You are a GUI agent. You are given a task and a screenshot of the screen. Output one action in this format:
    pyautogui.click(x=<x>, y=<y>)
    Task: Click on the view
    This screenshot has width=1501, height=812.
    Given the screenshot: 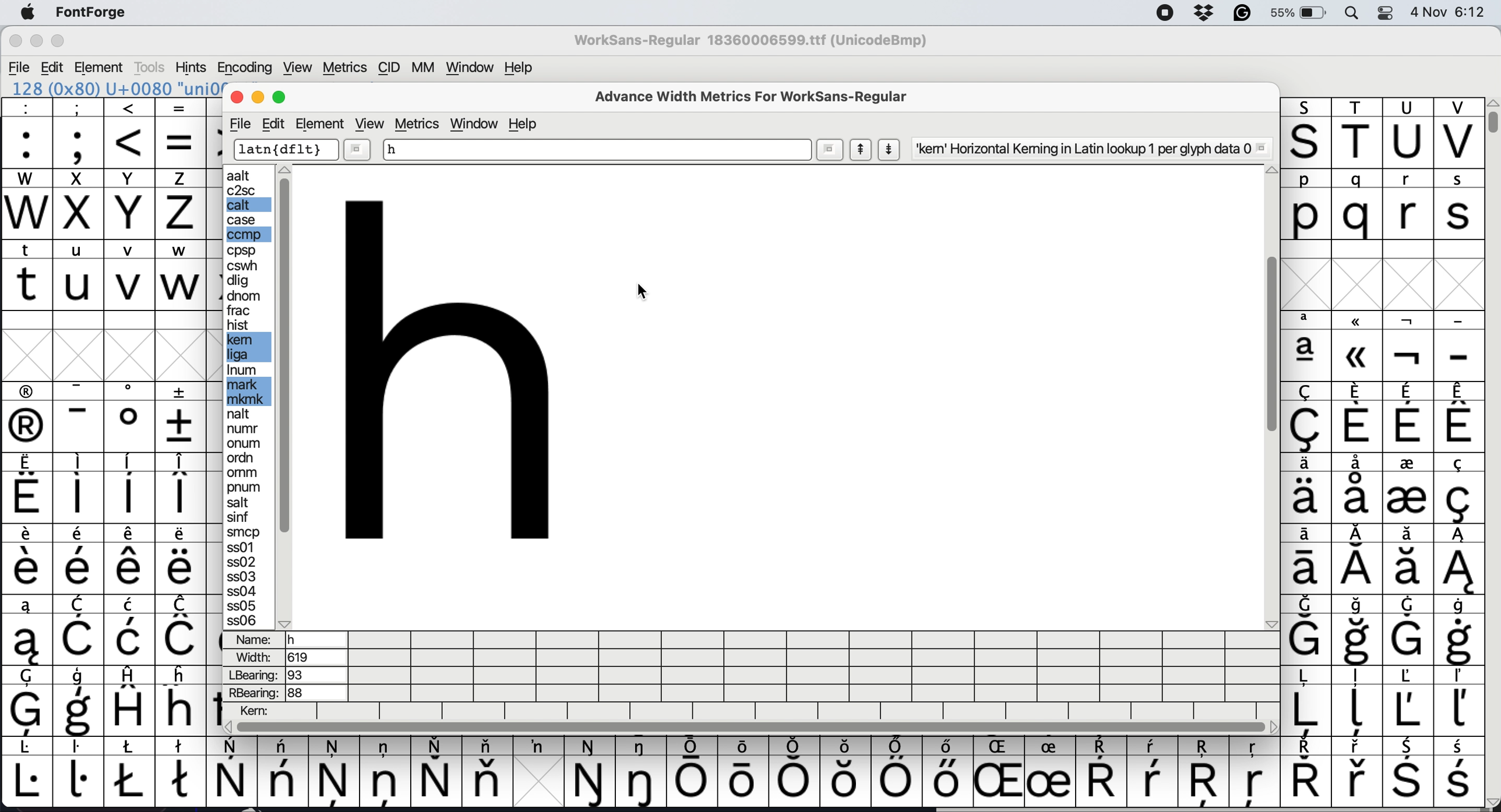 What is the action you would take?
    pyautogui.click(x=369, y=124)
    